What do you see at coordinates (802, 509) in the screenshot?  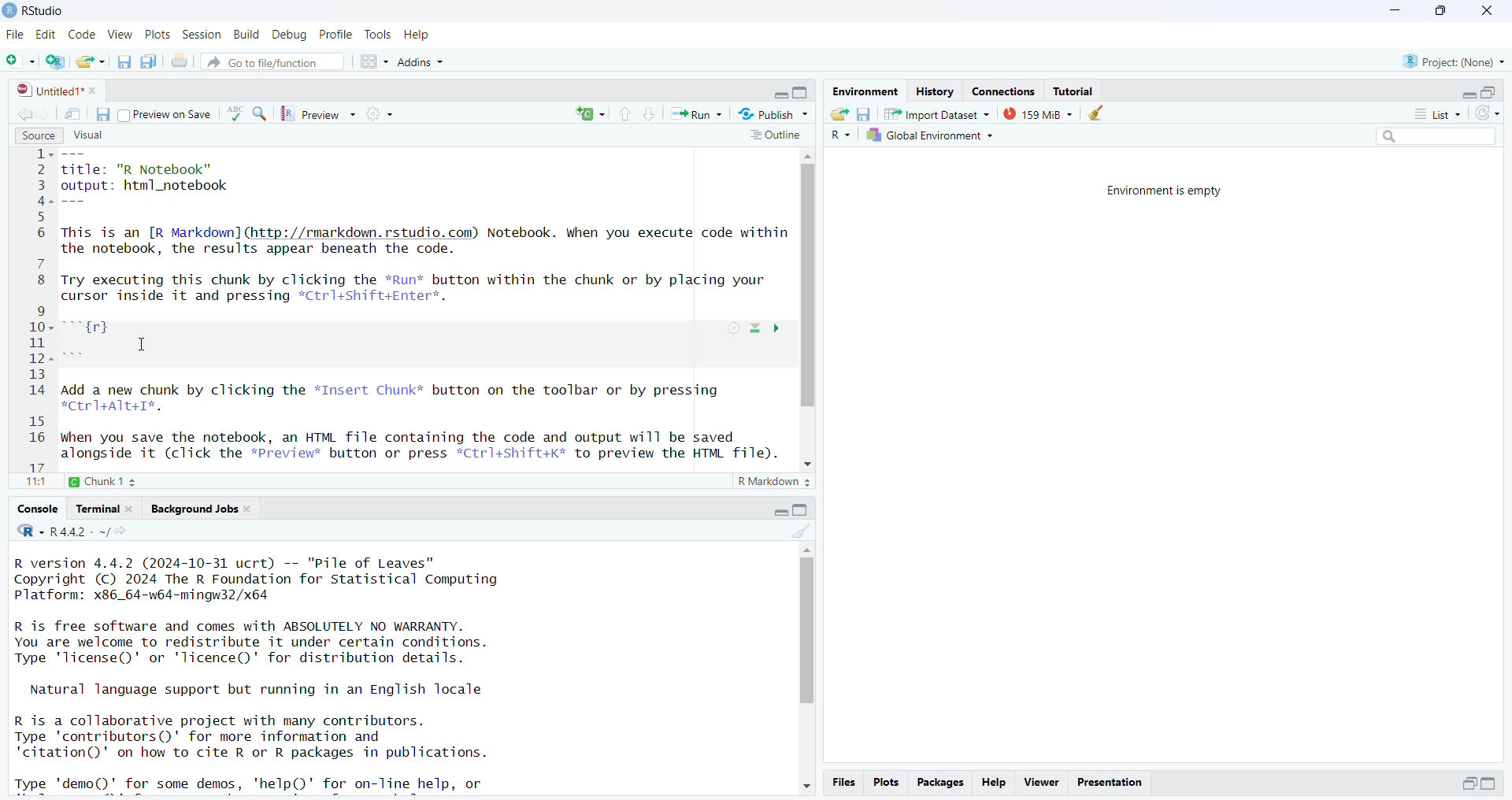 I see `collapse` at bounding box center [802, 509].